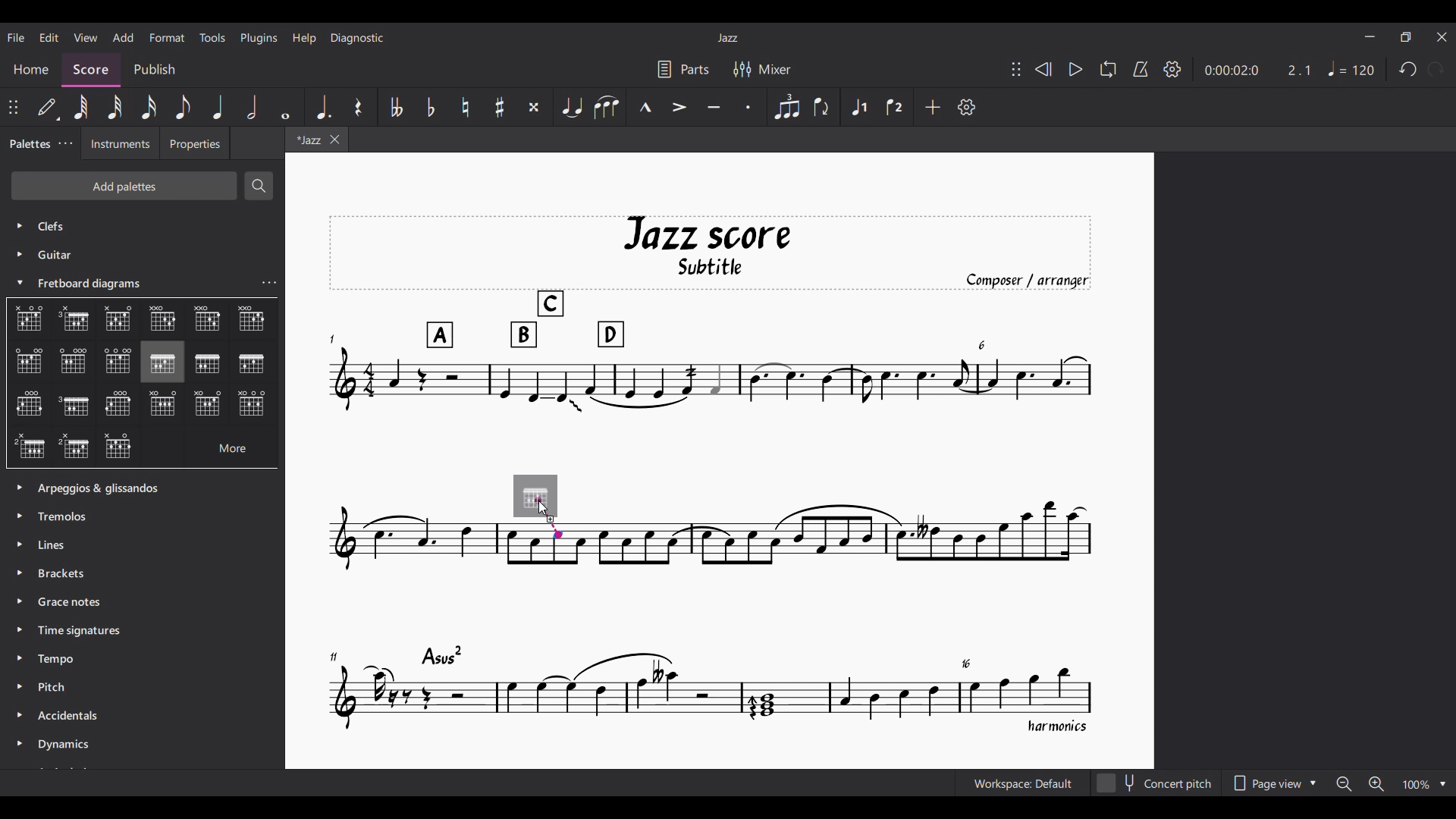  Describe the element at coordinates (821, 106) in the screenshot. I see `Flip direction` at that location.